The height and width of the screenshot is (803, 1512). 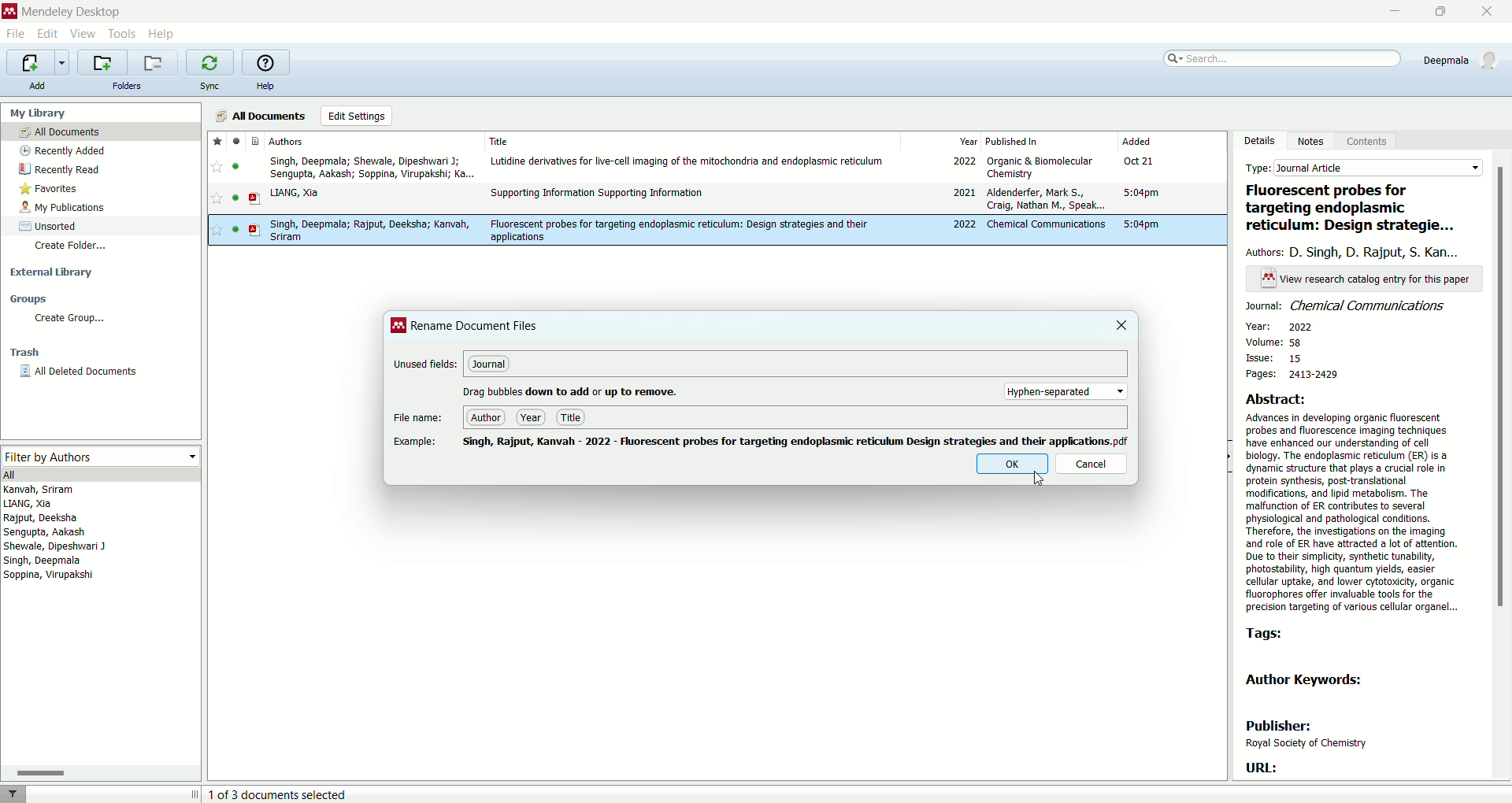 I want to click on Lutidine derivatives for live-cell imaging of the mitochondria and endoplasmic reticulum, so click(x=688, y=162).